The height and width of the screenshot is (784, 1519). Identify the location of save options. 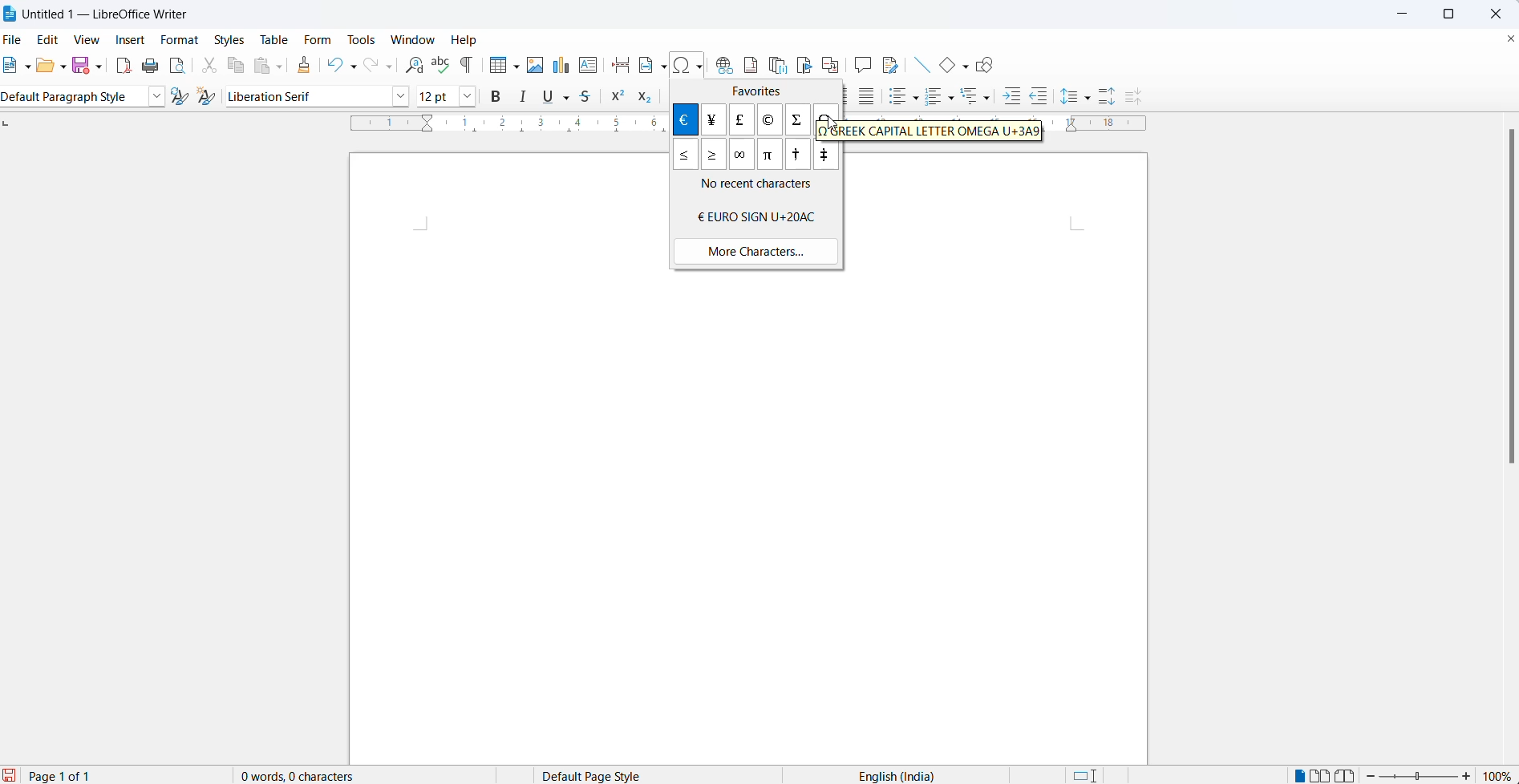
(99, 65).